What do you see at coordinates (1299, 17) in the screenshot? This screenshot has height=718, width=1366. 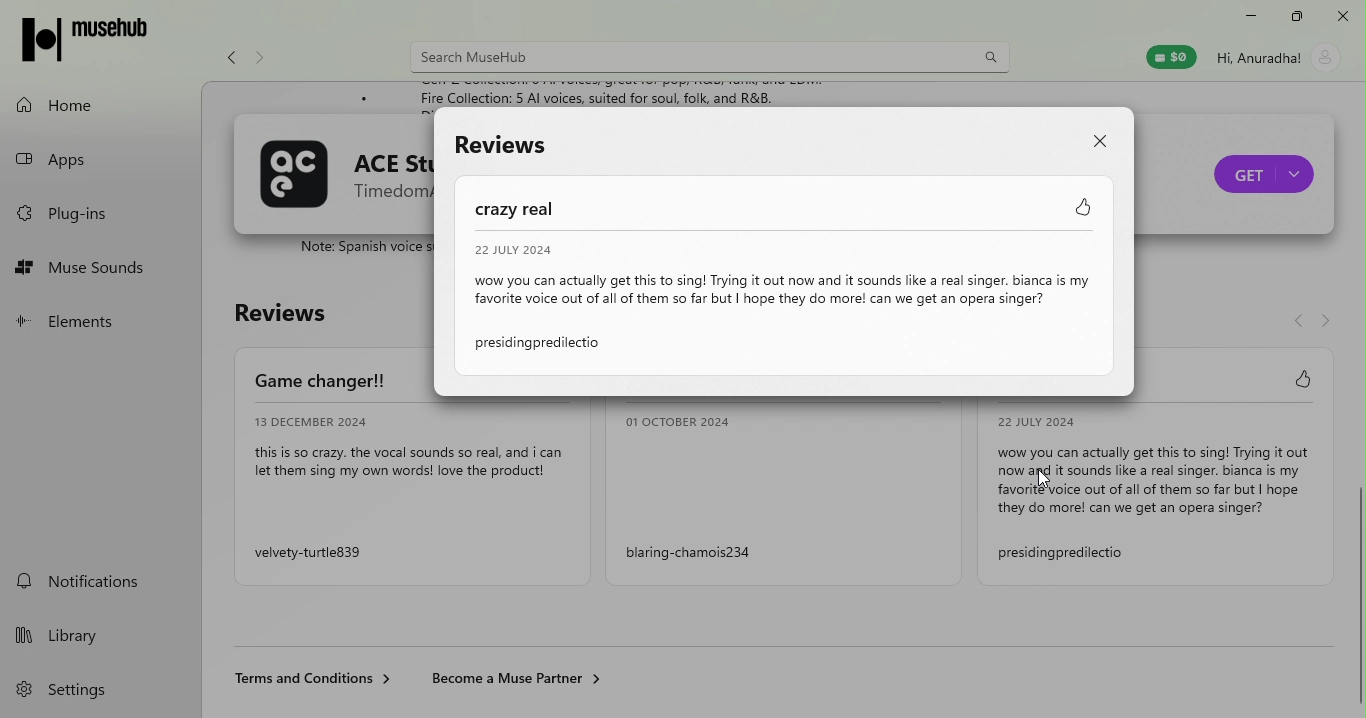 I see `maximize` at bounding box center [1299, 17].